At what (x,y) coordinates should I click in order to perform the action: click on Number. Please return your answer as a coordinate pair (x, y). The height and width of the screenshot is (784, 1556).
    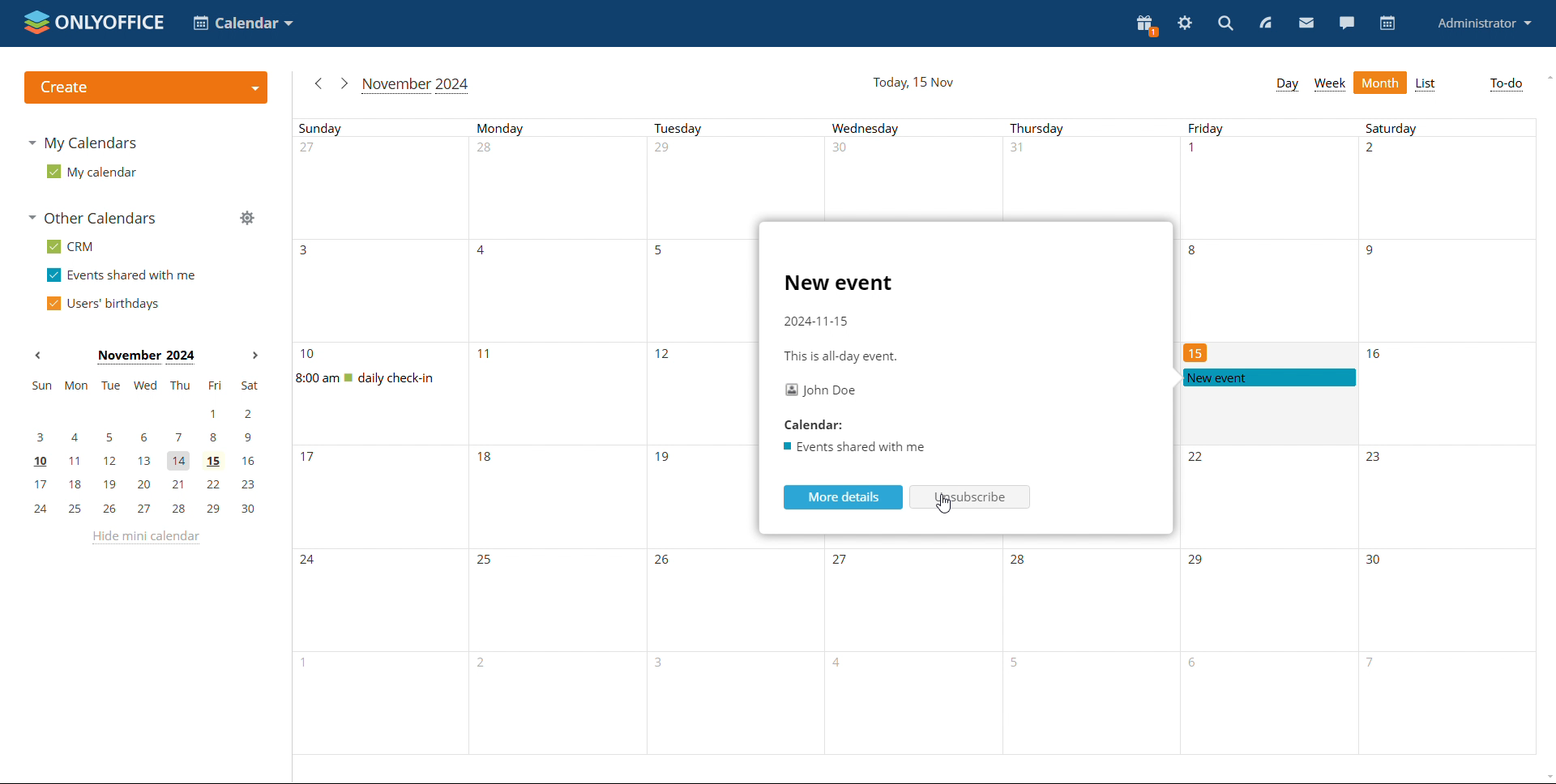
    Looking at the image, I should click on (1377, 354).